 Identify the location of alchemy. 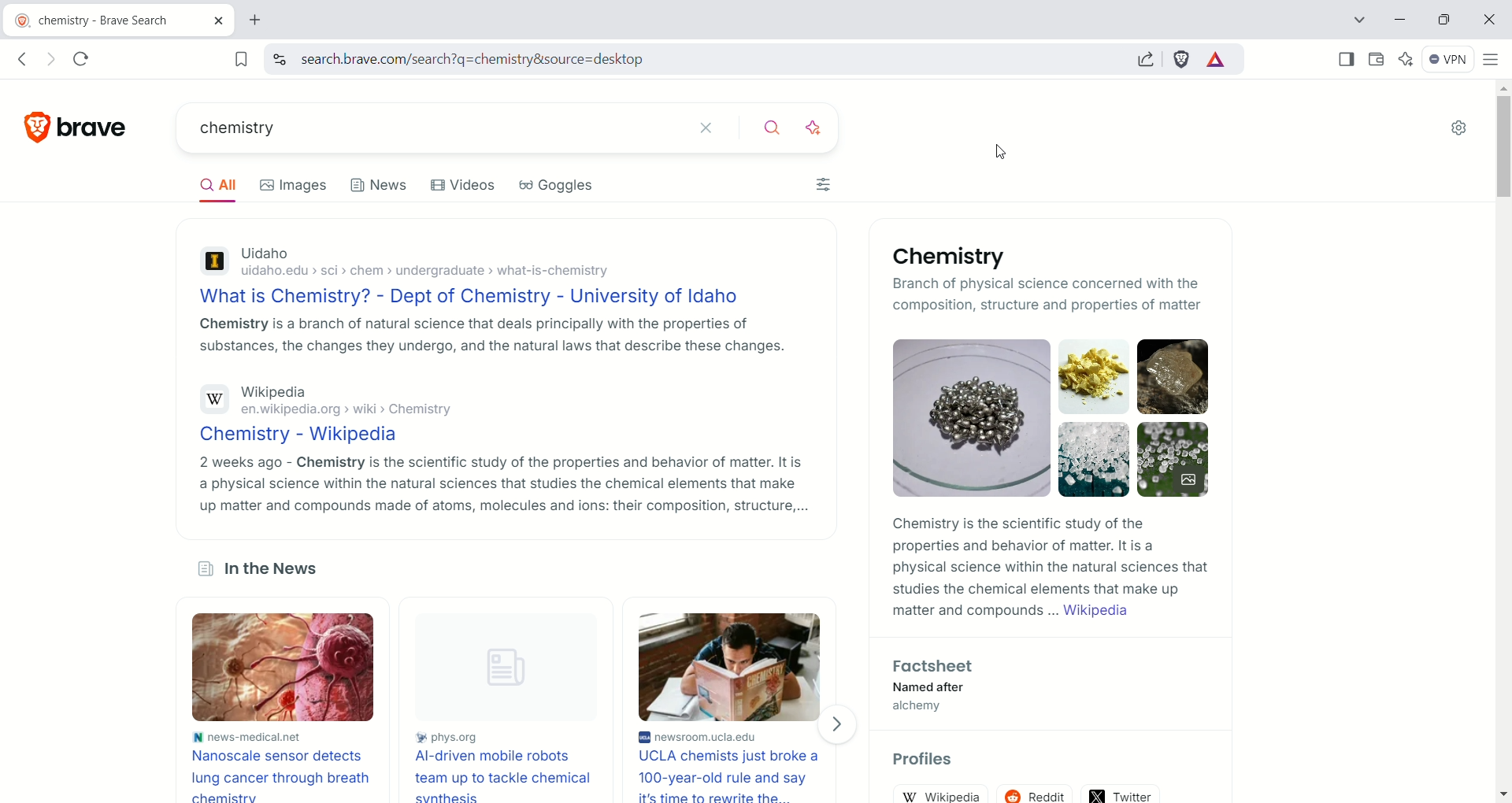
(920, 708).